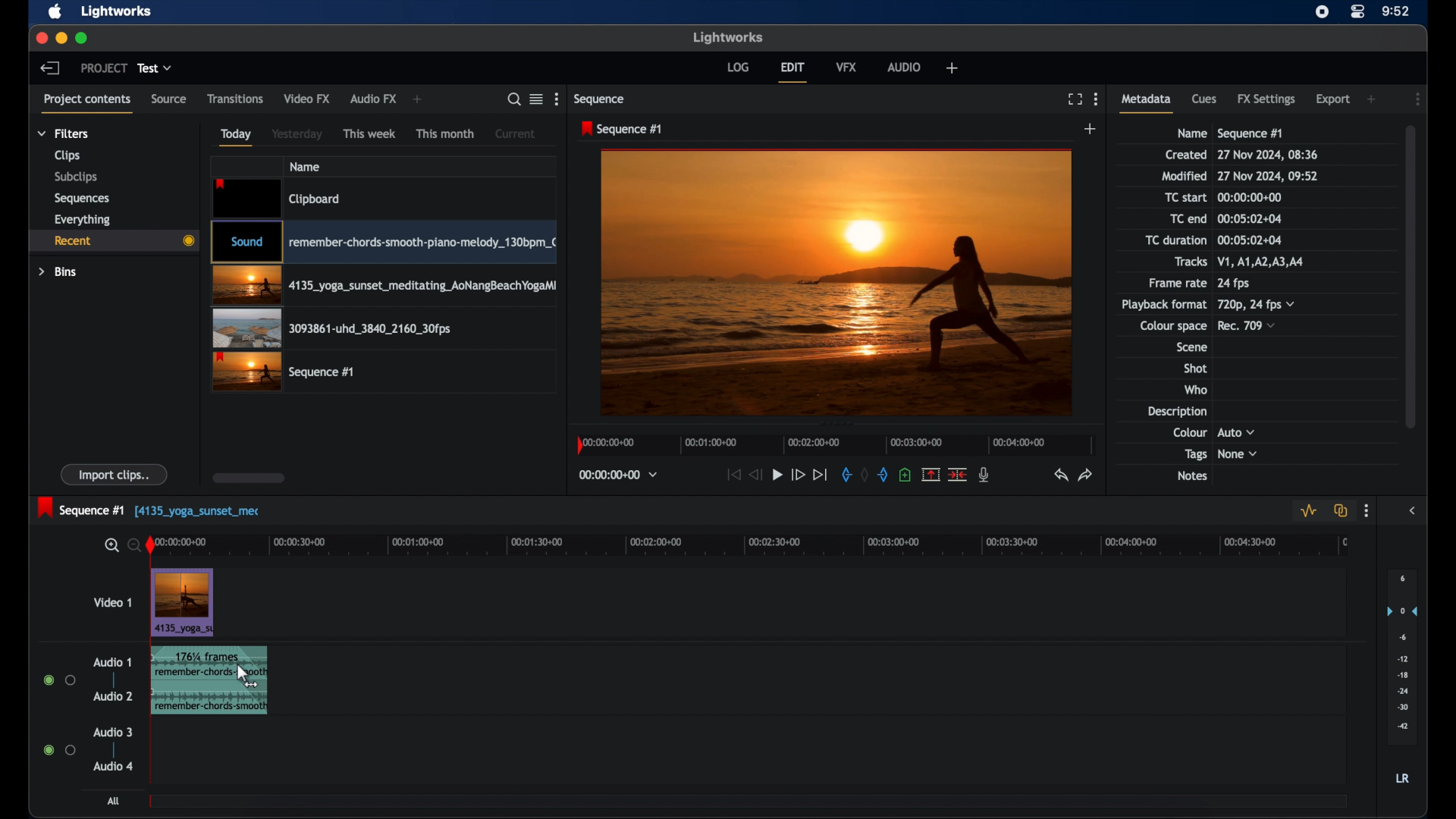 This screenshot has width=1456, height=819. I want to click on log, so click(738, 67).